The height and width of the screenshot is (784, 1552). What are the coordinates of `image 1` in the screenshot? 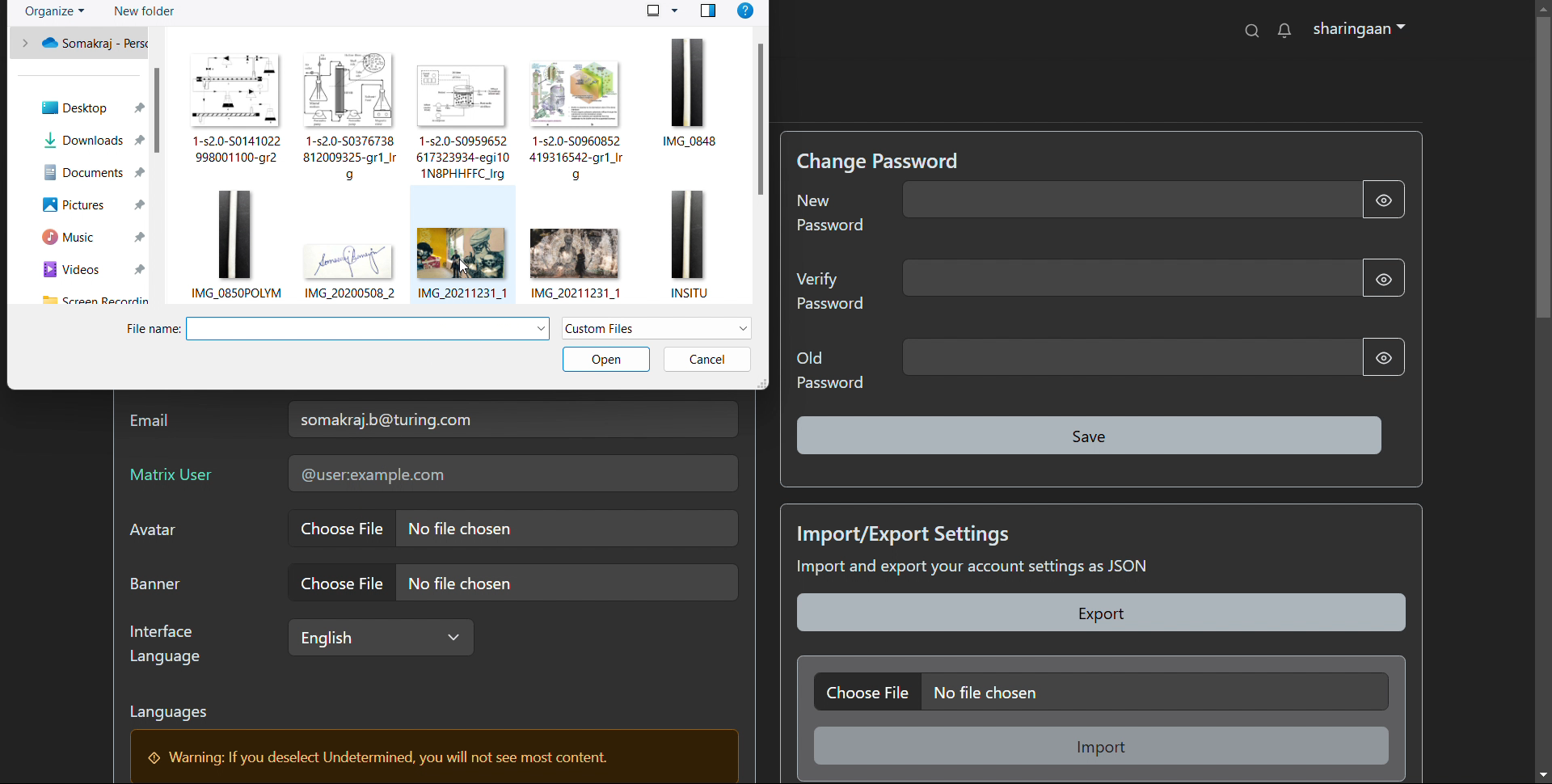 It's located at (233, 106).